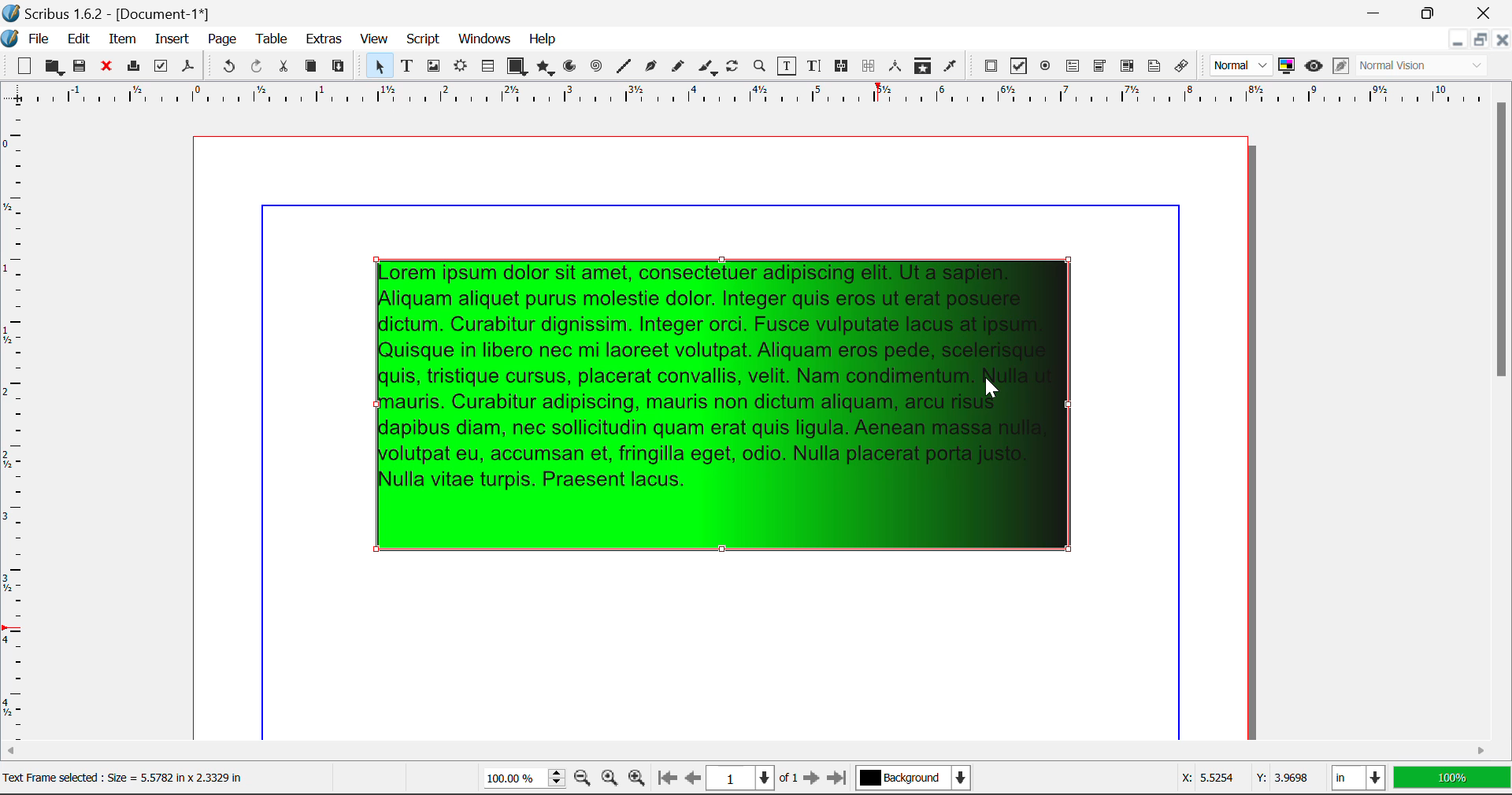 The image size is (1512, 795). What do you see at coordinates (595, 68) in the screenshot?
I see `Spirals` at bounding box center [595, 68].